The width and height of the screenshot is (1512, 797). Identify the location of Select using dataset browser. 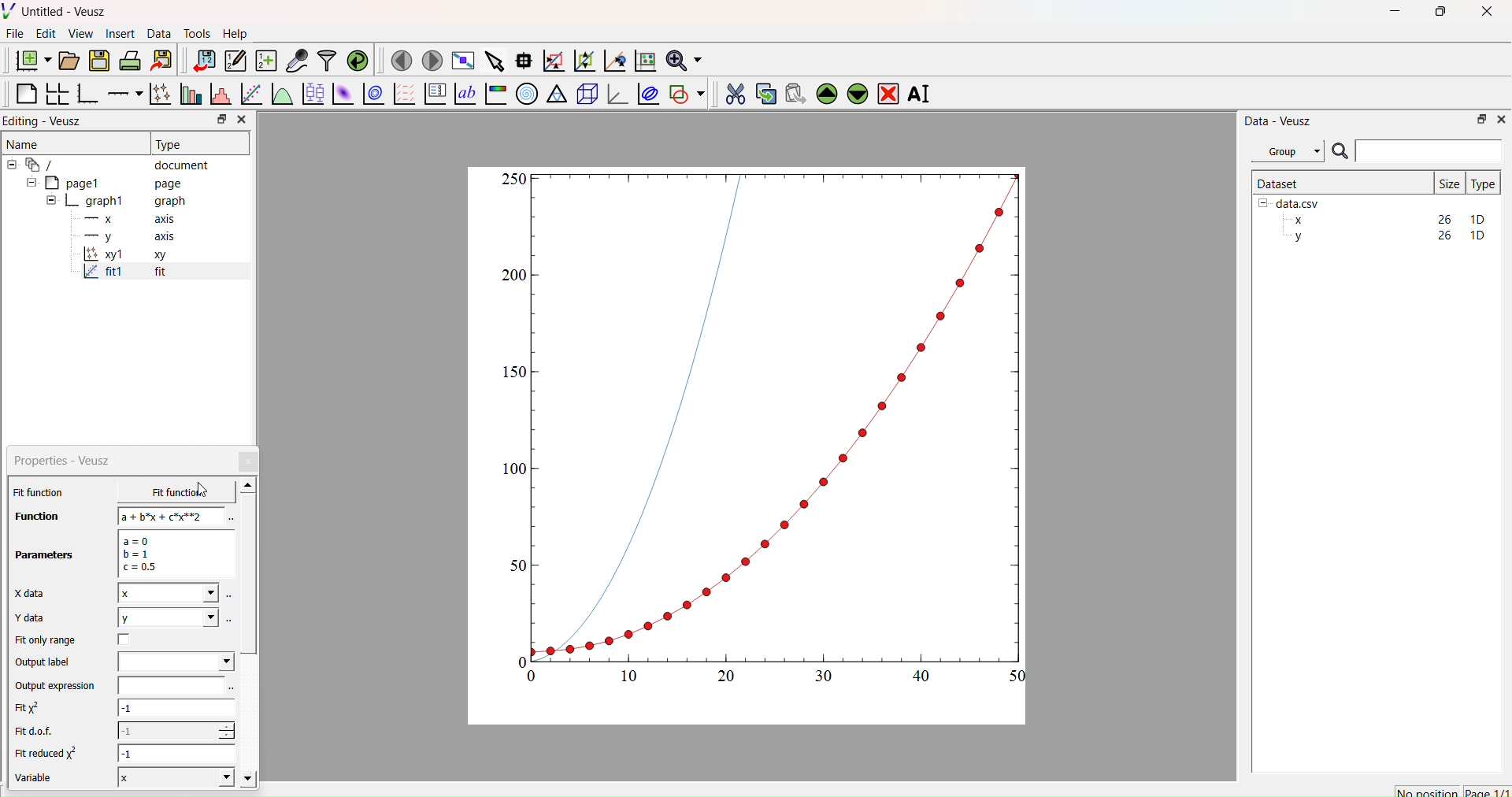
(230, 619).